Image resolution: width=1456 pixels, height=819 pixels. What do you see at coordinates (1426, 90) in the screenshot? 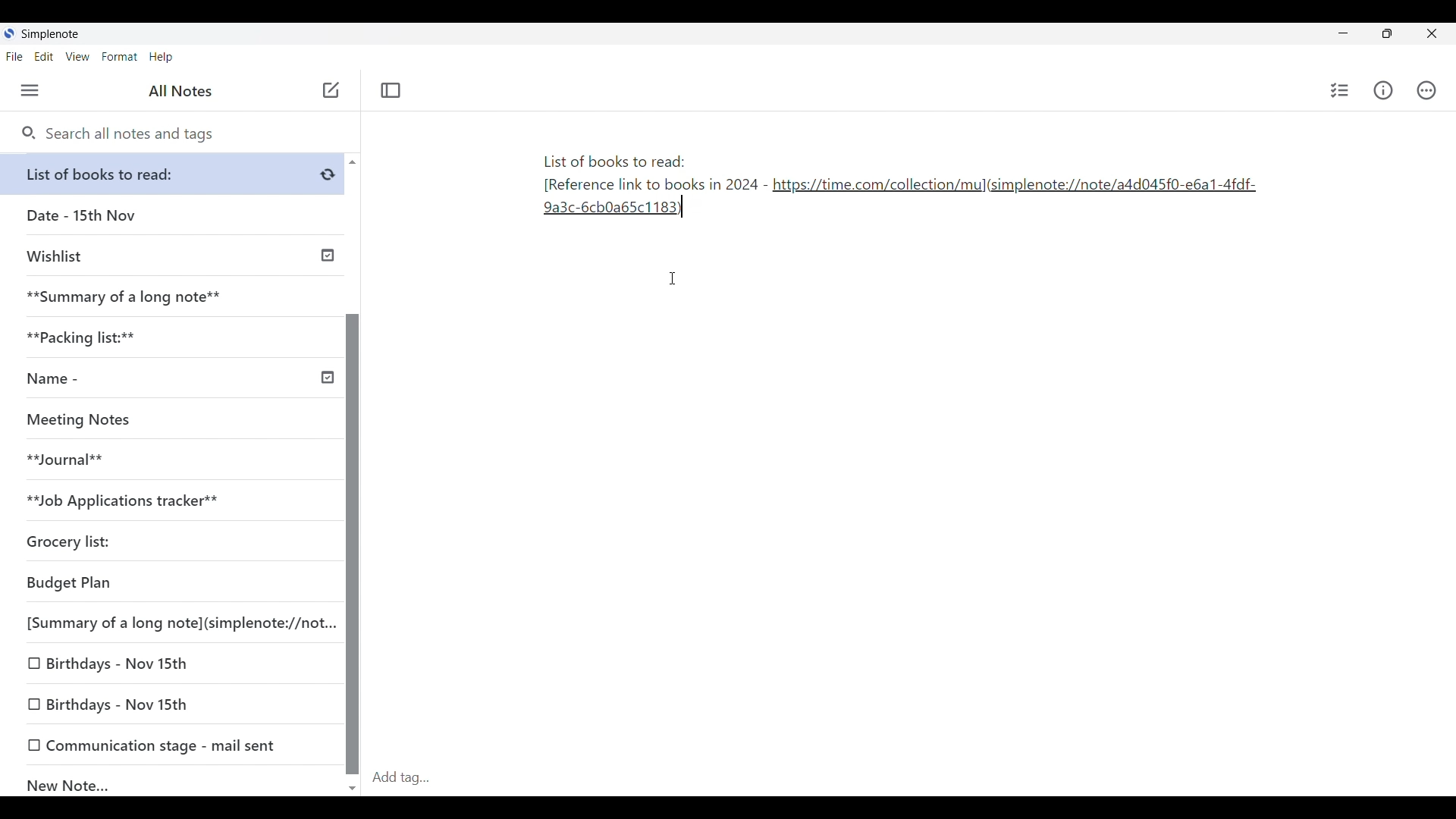
I see `Actions` at bounding box center [1426, 90].